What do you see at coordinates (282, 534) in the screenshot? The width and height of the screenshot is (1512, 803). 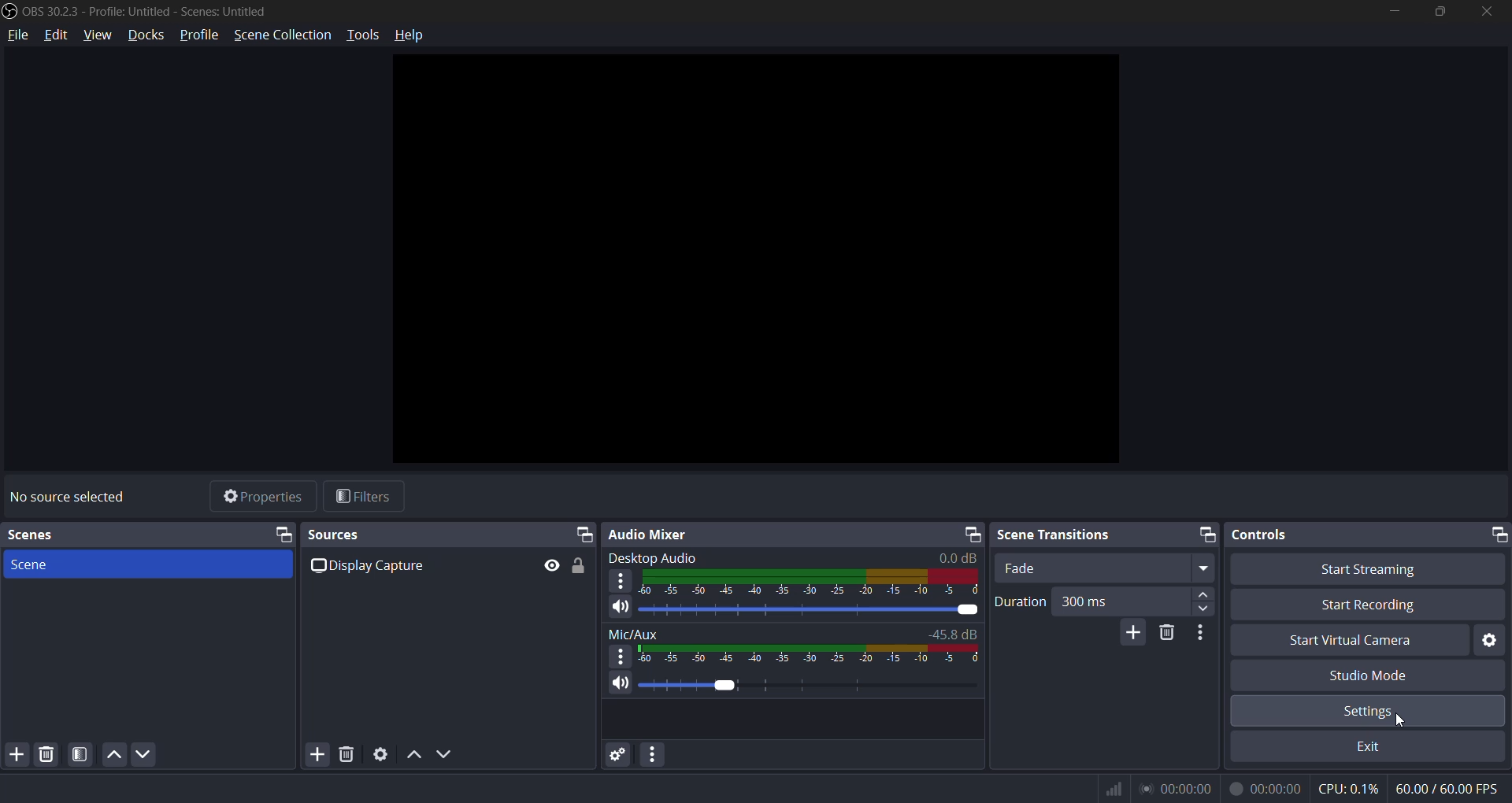 I see `float window` at bounding box center [282, 534].